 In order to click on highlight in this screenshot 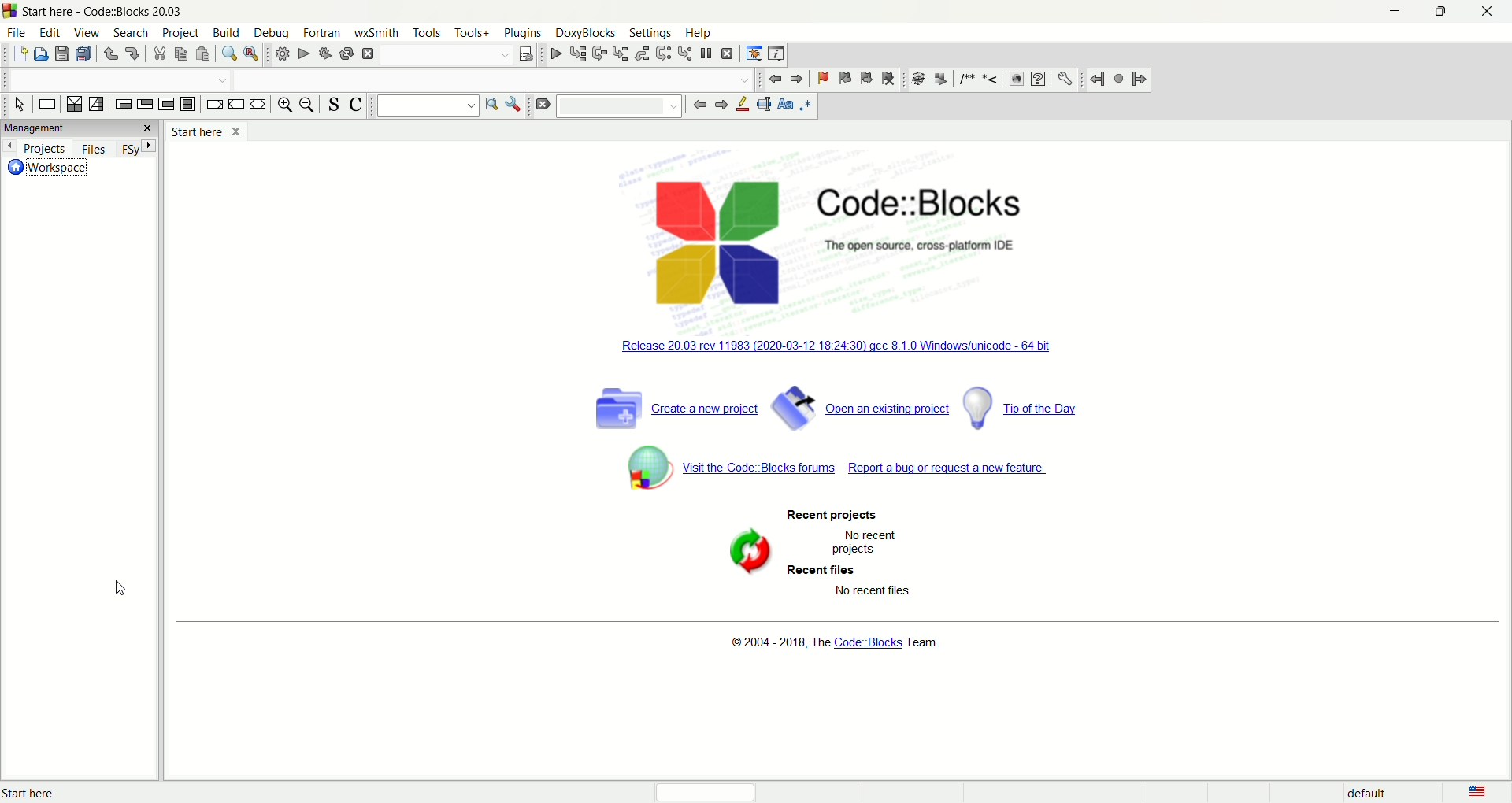, I will do `click(745, 105)`.